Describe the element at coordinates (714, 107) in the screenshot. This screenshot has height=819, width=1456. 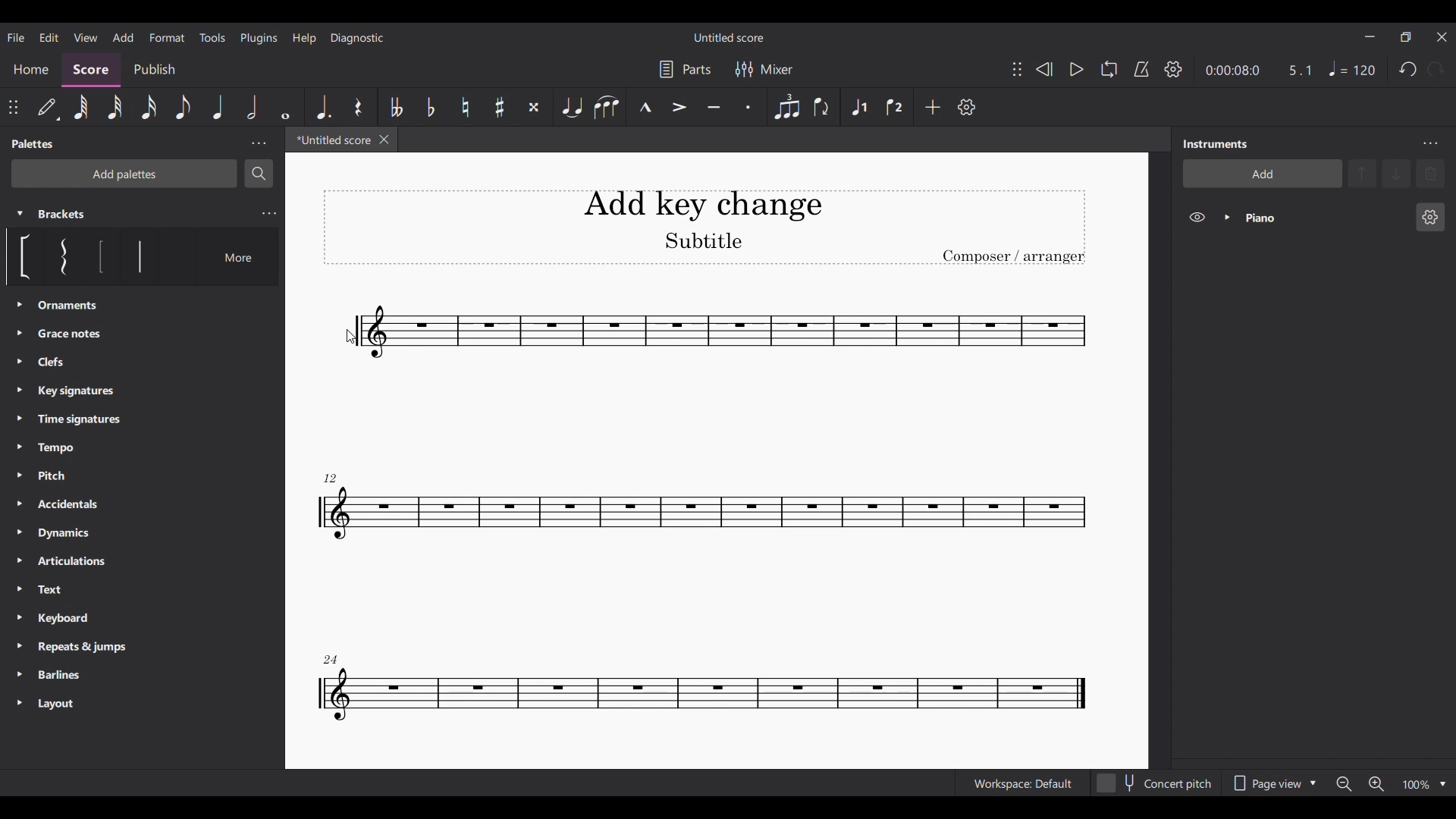
I see `Tenuto` at that location.